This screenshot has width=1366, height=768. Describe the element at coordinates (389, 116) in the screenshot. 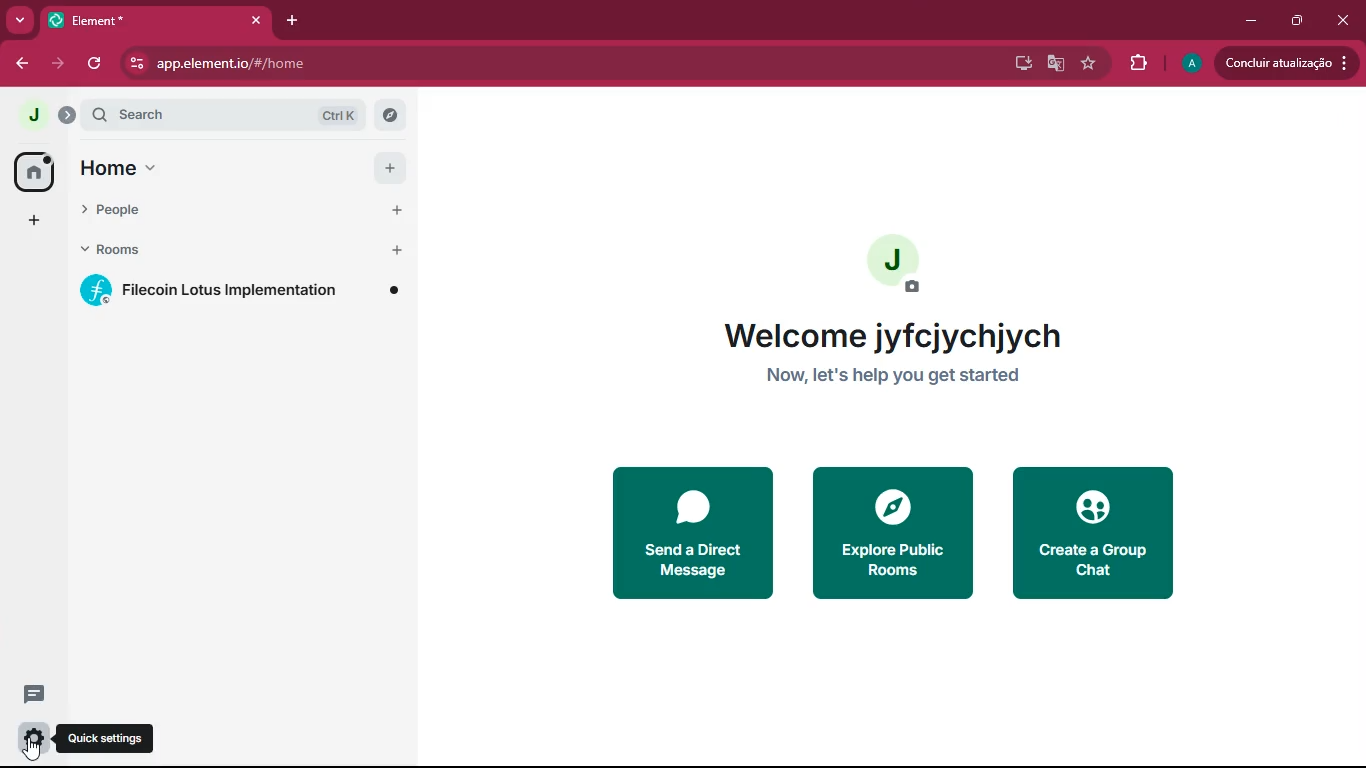

I see `explore` at that location.